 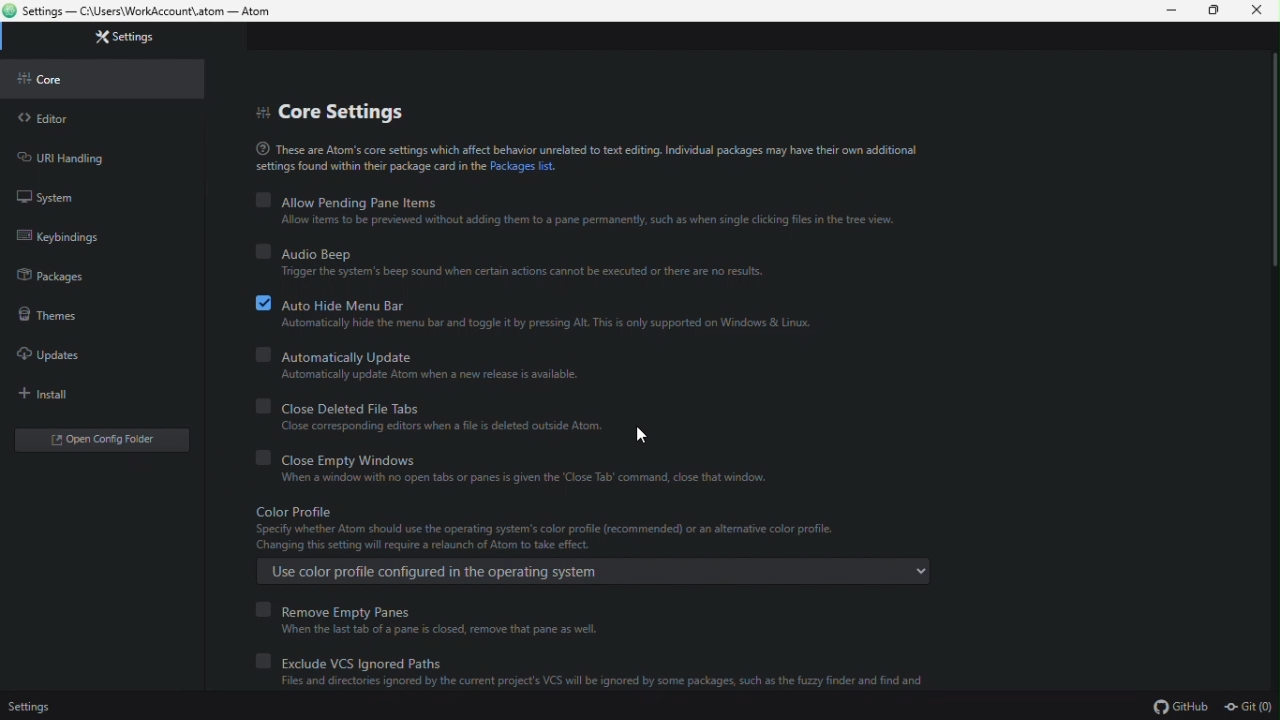 What do you see at coordinates (55, 199) in the screenshot?
I see `System` at bounding box center [55, 199].